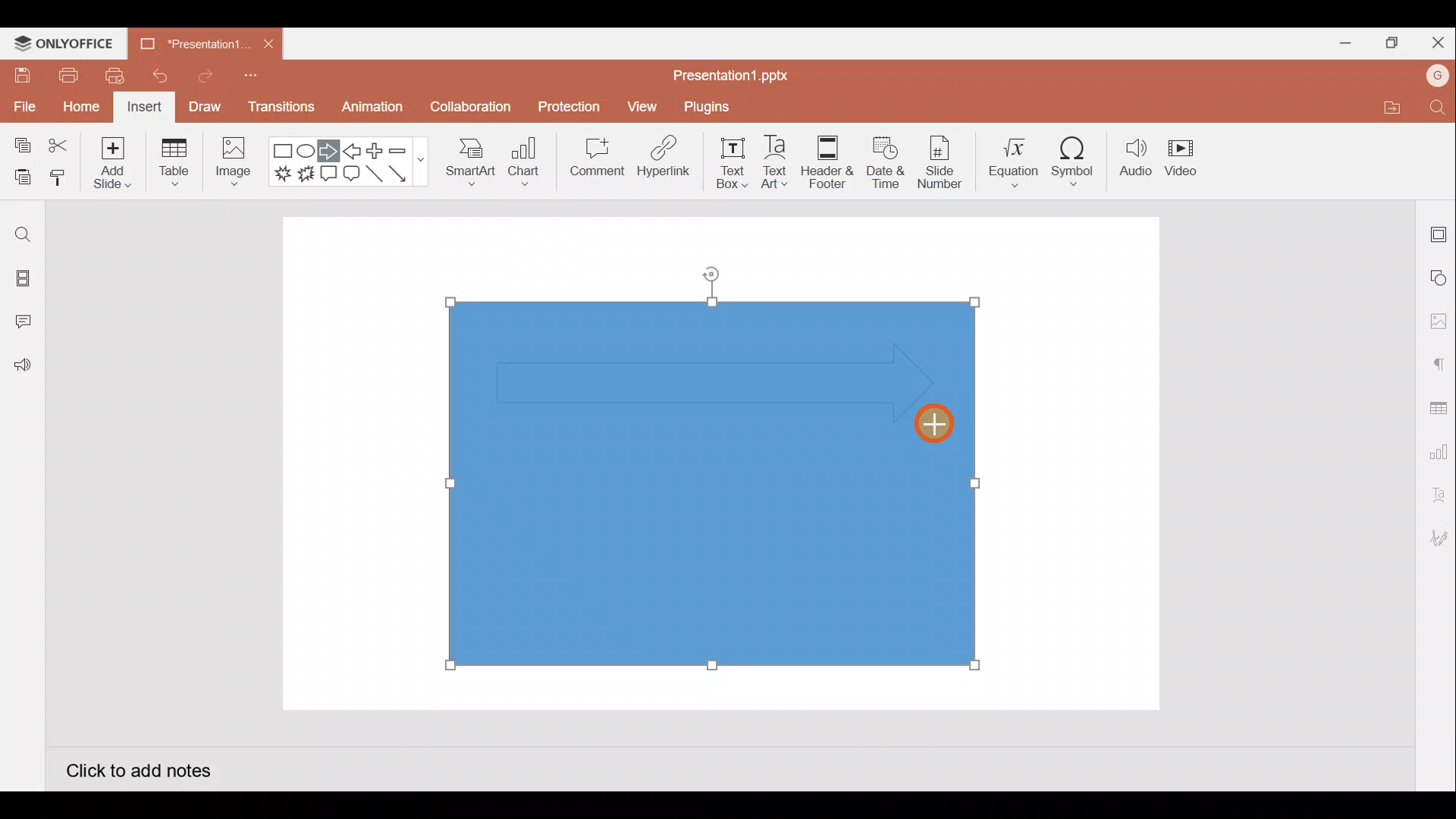 The height and width of the screenshot is (819, 1456). I want to click on Ellipse, so click(309, 152).